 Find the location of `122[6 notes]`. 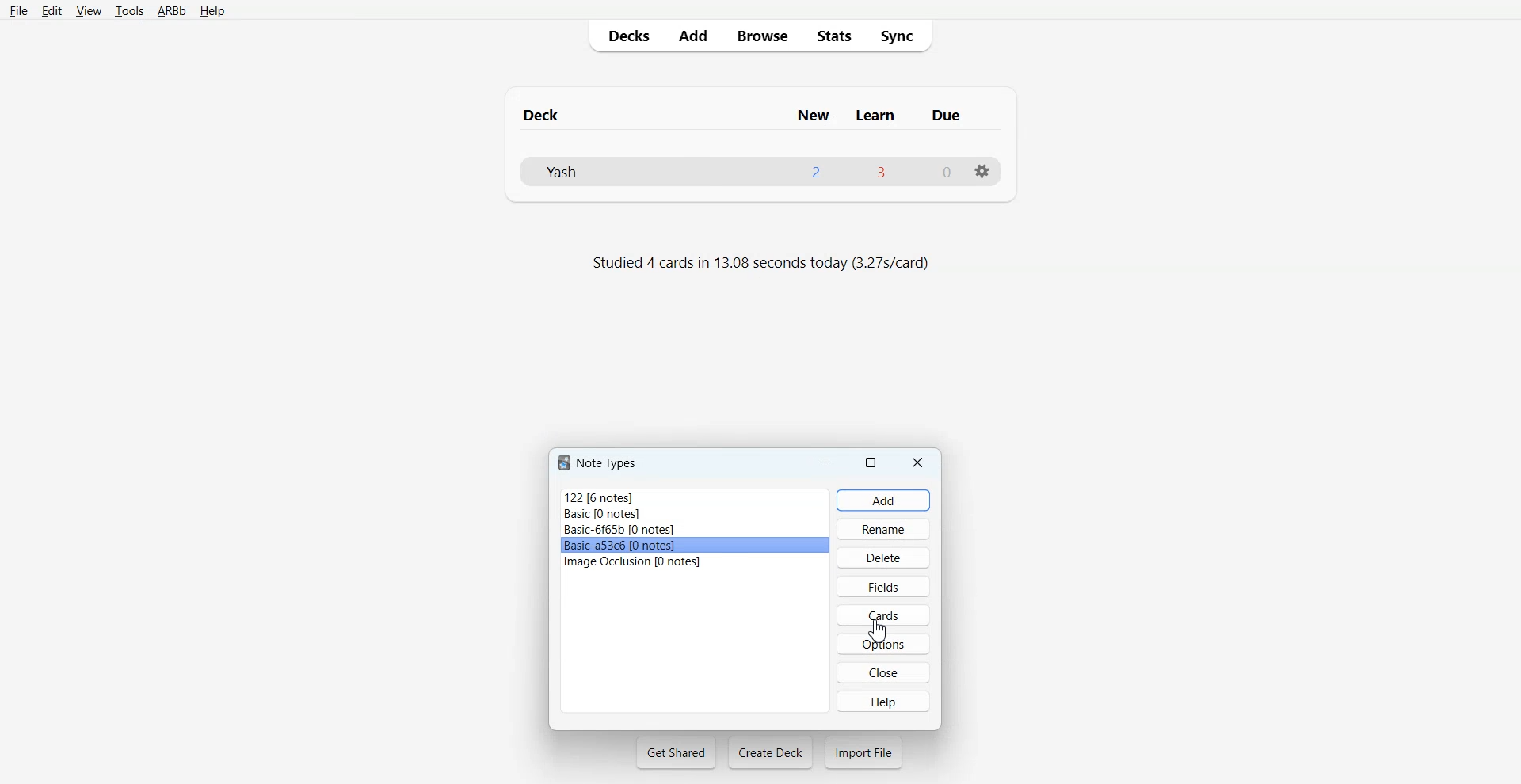

122[6 notes] is located at coordinates (693, 496).